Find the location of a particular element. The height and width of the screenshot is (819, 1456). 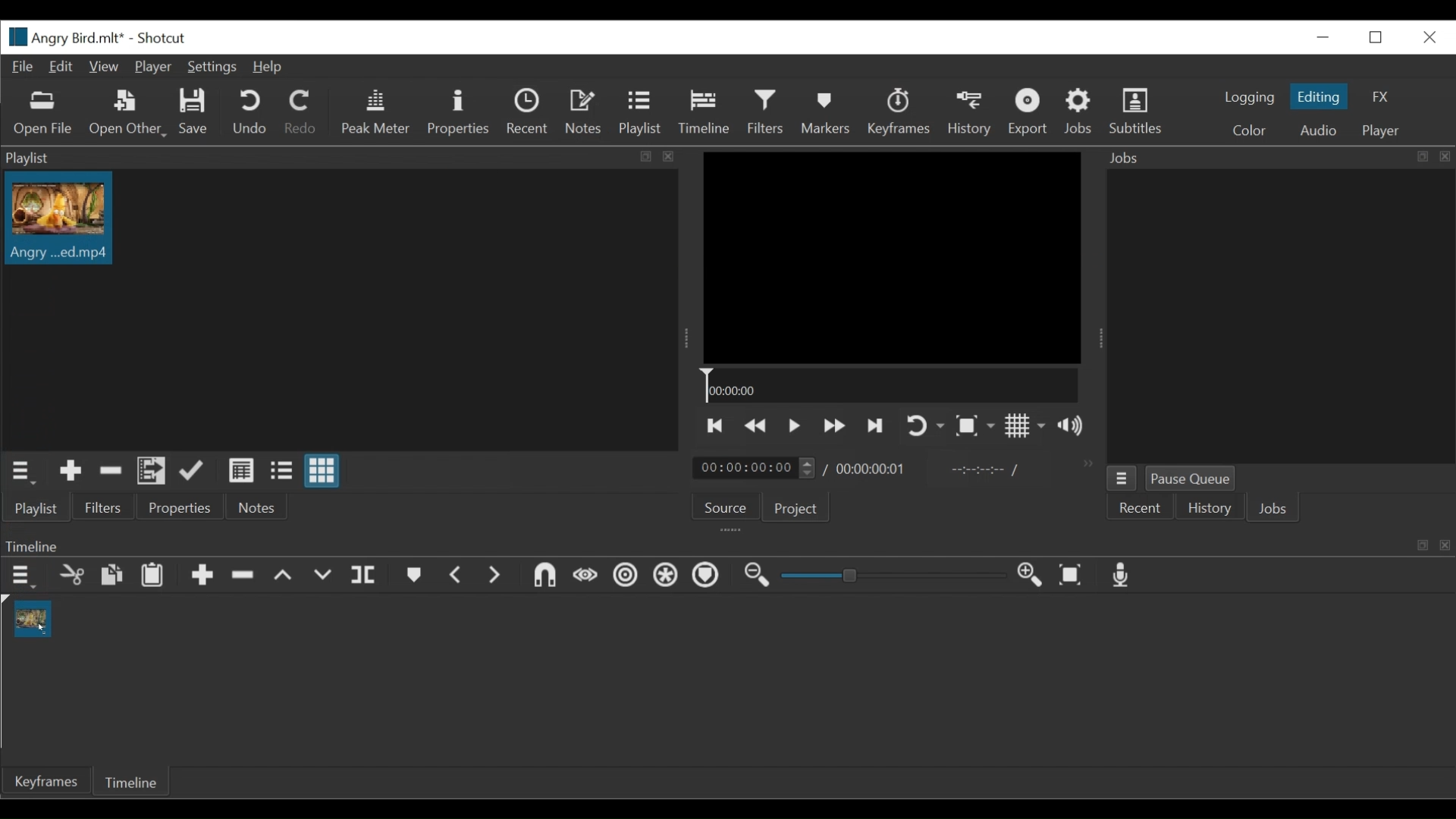

Keyframes is located at coordinates (900, 112).